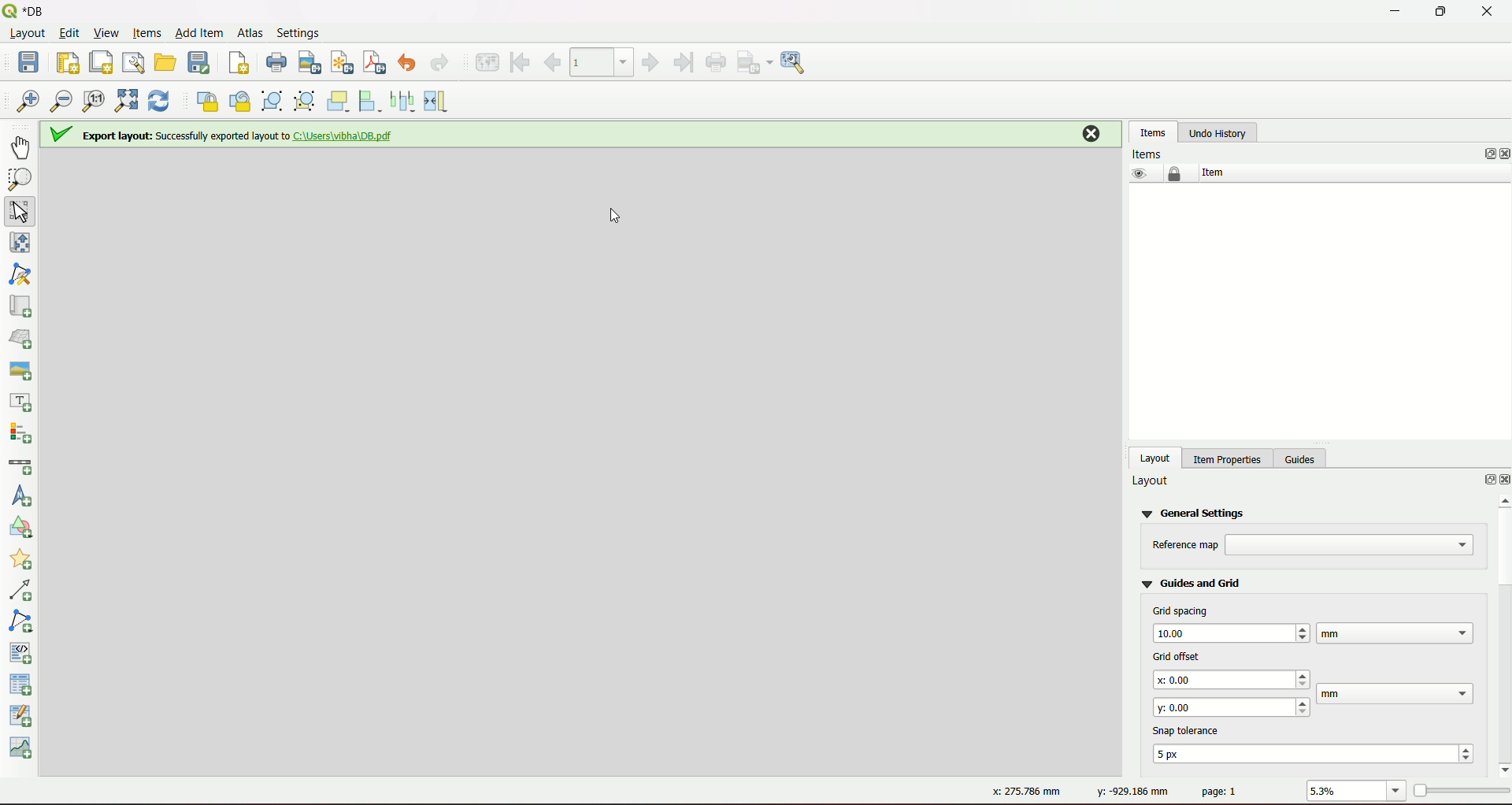 The height and width of the screenshot is (805, 1512). I want to click on elevation profile, so click(24, 750).